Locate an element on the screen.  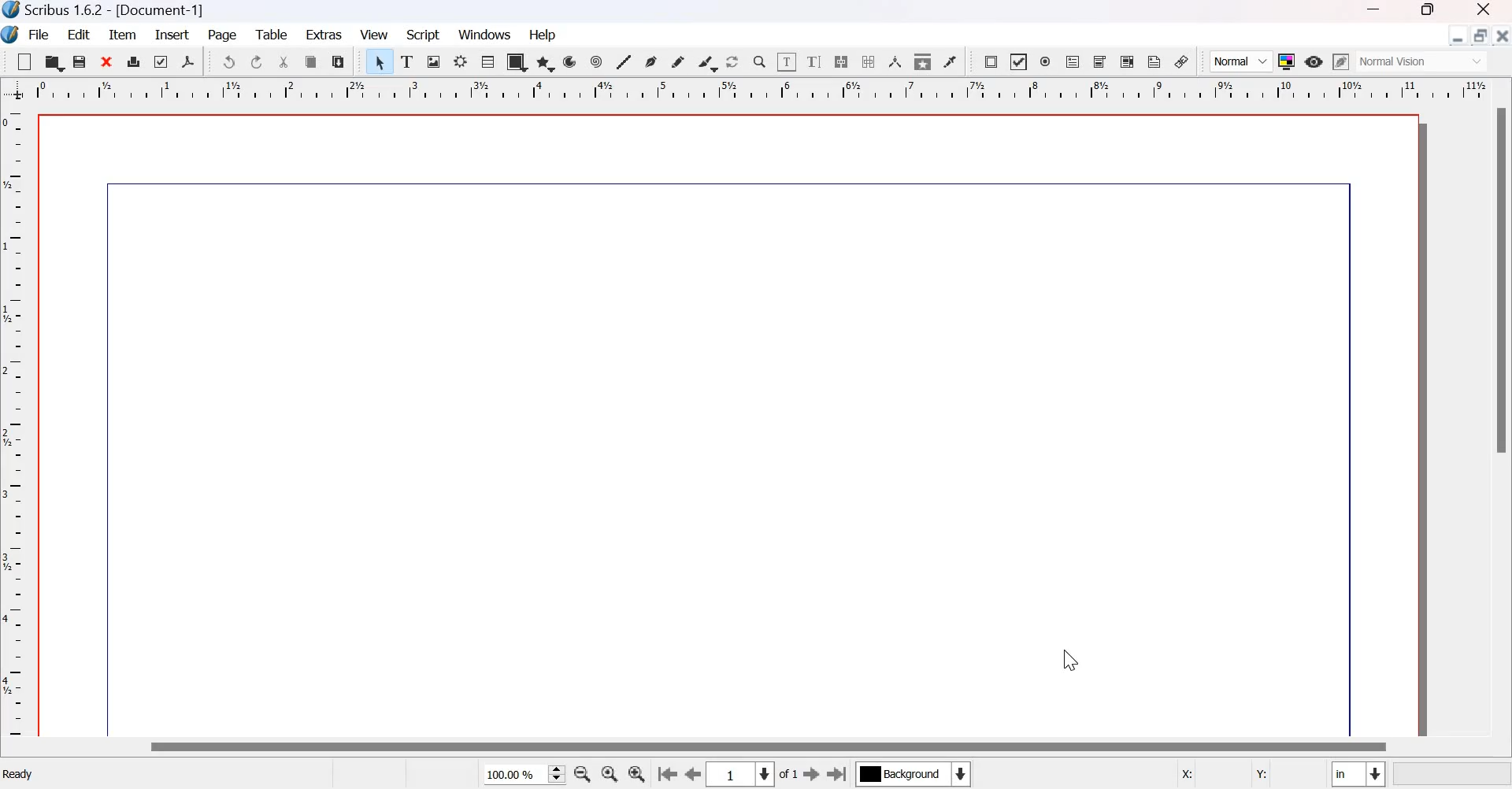
Minimize is located at coordinates (1459, 36).